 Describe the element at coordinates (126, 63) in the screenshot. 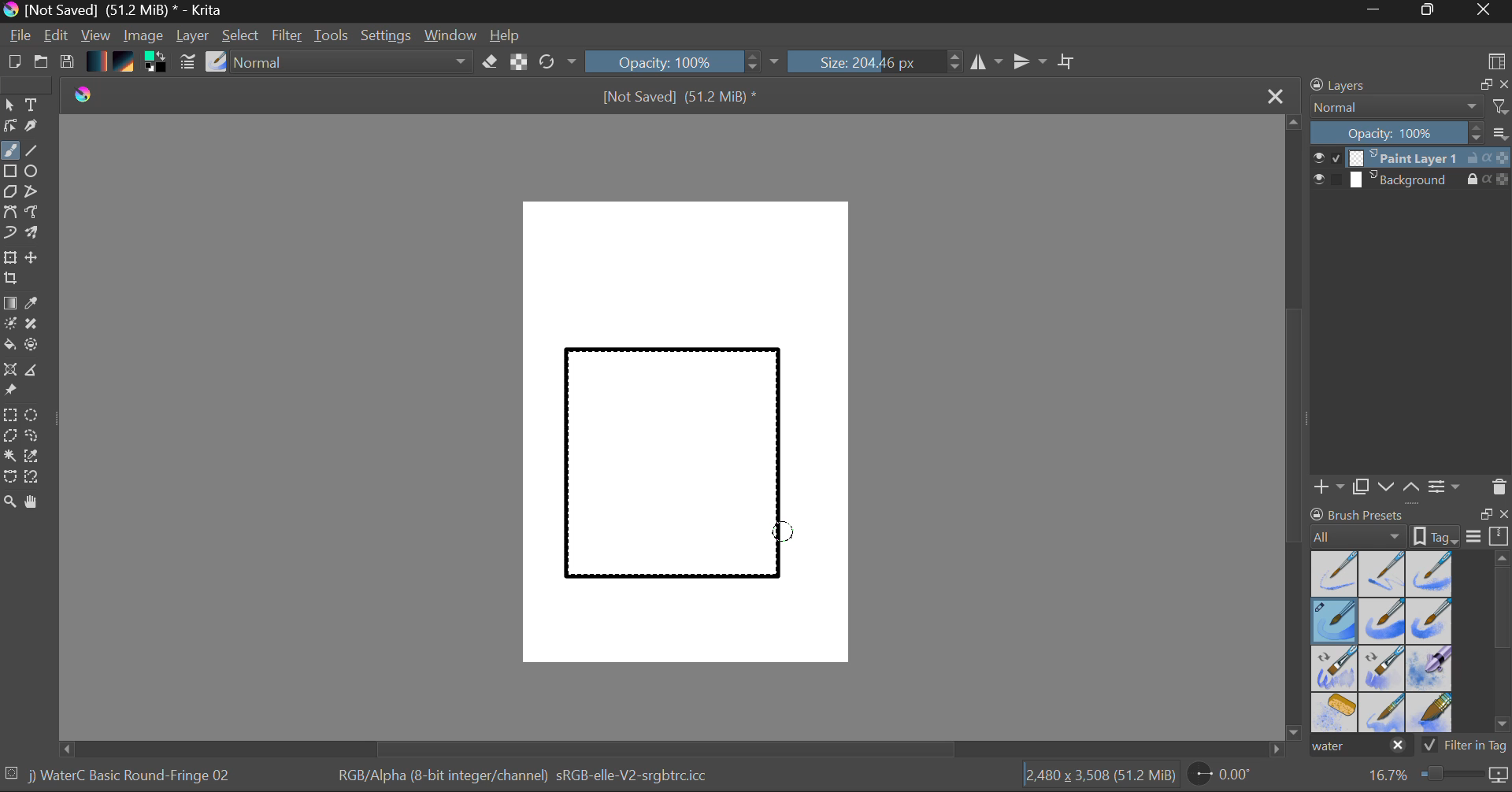

I see `Pattern` at that location.